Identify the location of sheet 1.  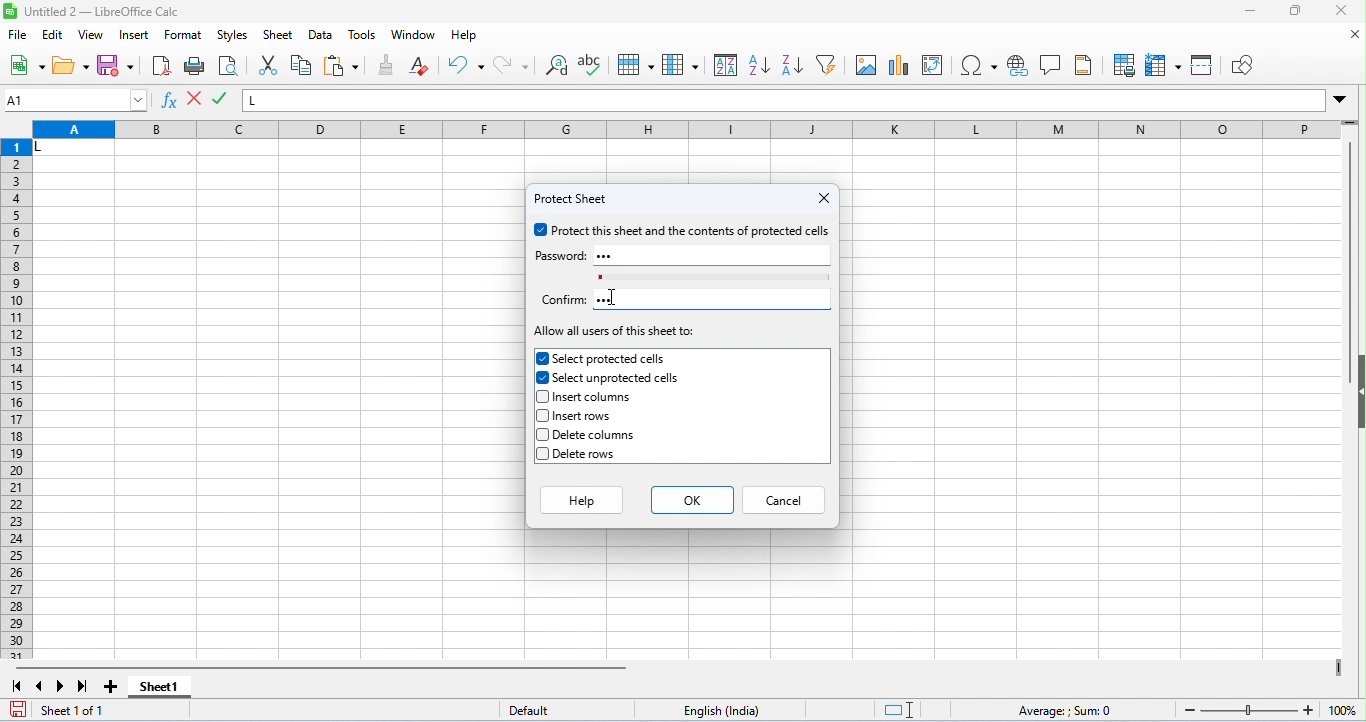
(160, 688).